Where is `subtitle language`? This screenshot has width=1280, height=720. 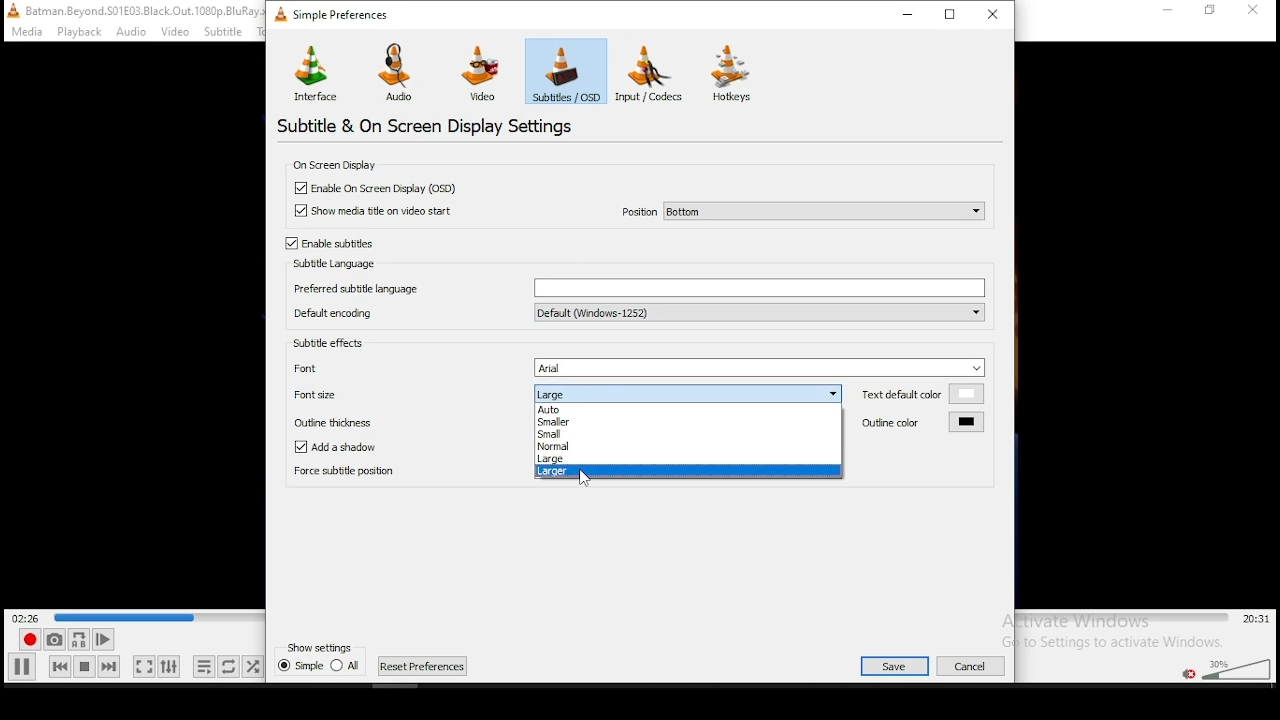 subtitle language is located at coordinates (336, 264).